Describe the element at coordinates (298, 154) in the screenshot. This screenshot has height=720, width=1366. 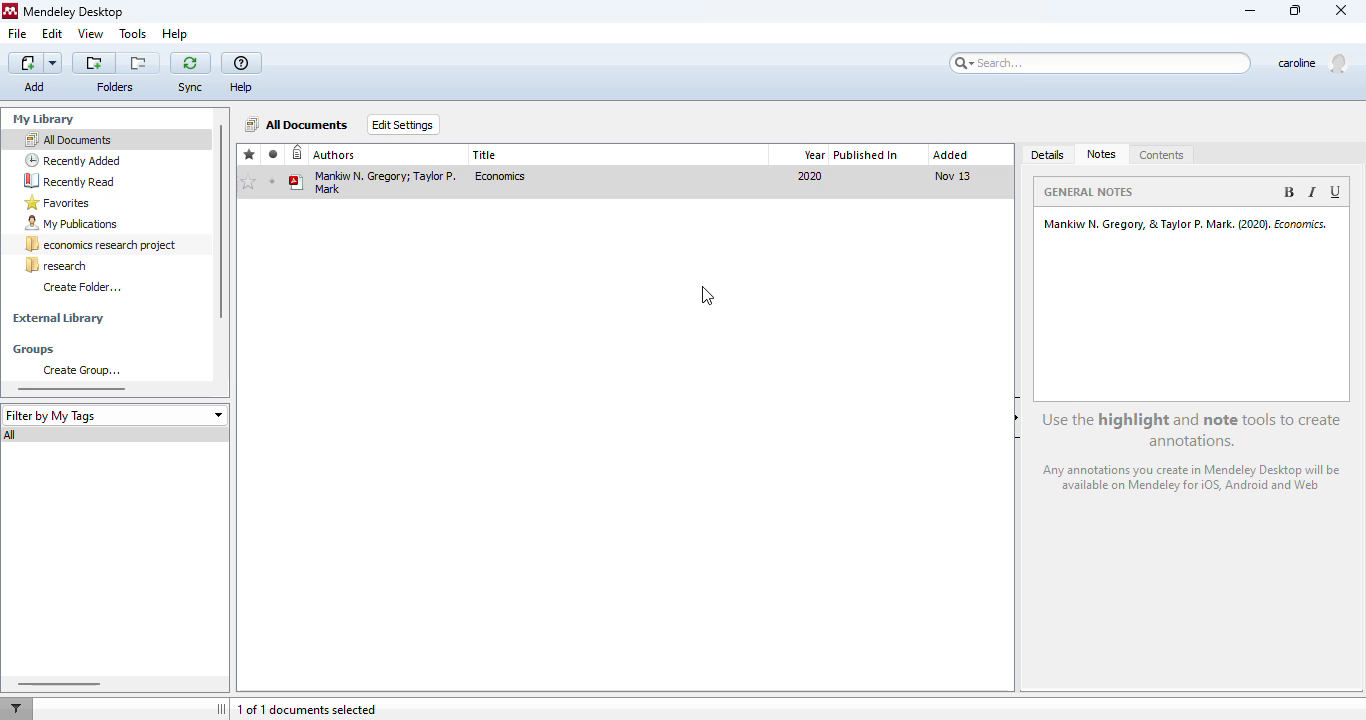
I see `recently added` at that location.